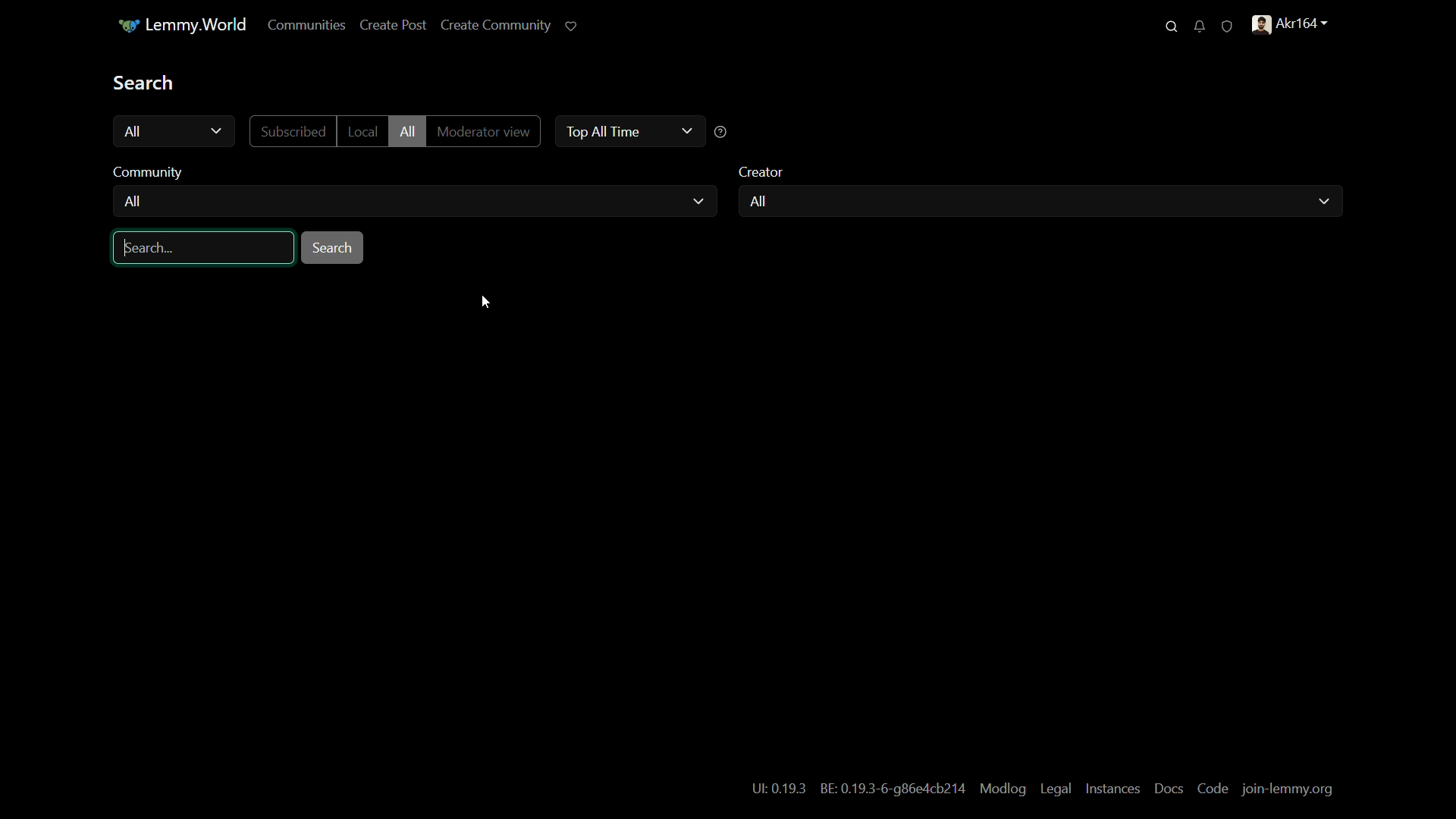 Image resolution: width=1456 pixels, height=819 pixels. Describe the element at coordinates (1293, 24) in the screenshot. I see `profile` at that location.